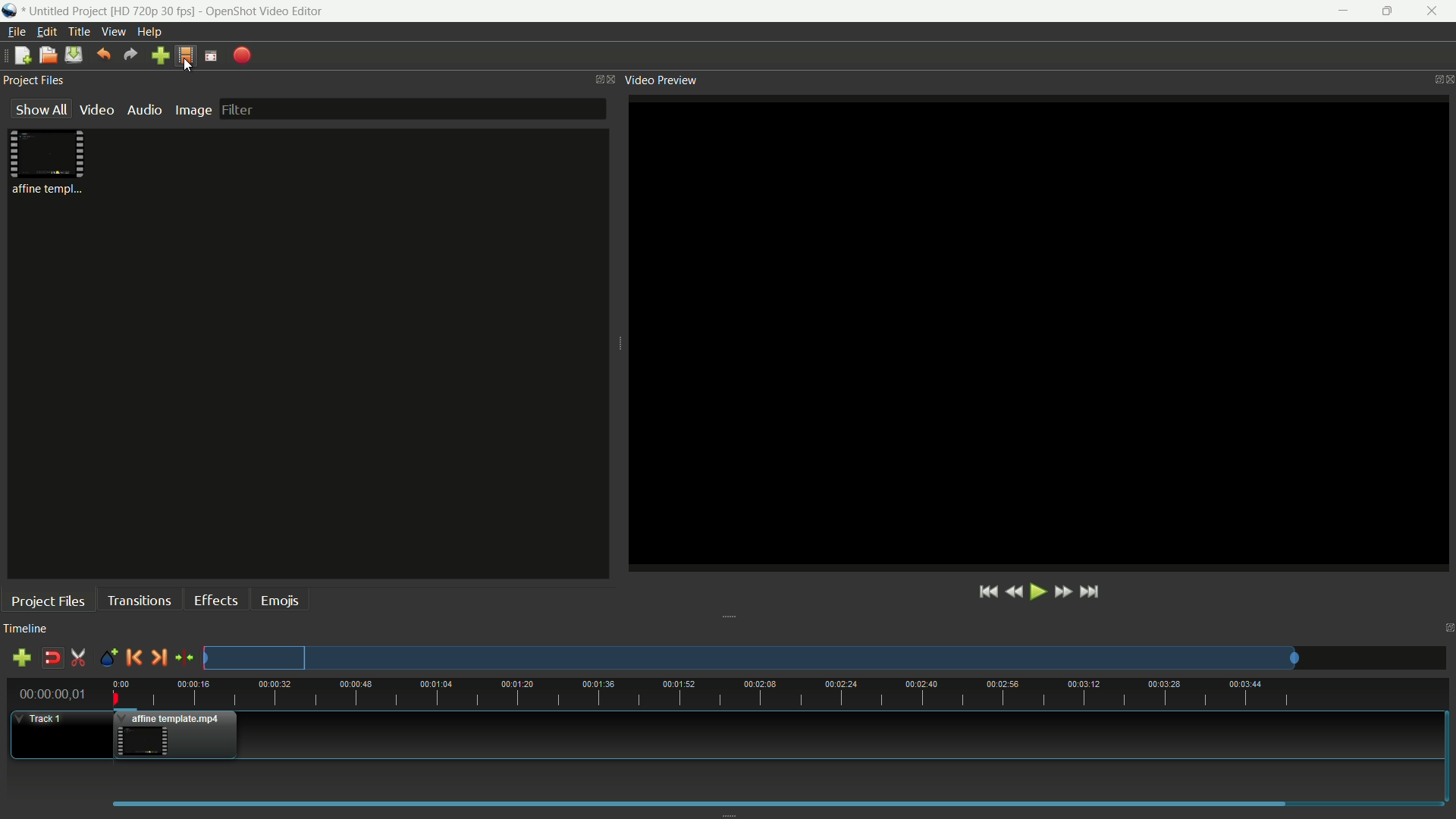  I want to click on close app, so click(1436, 11).